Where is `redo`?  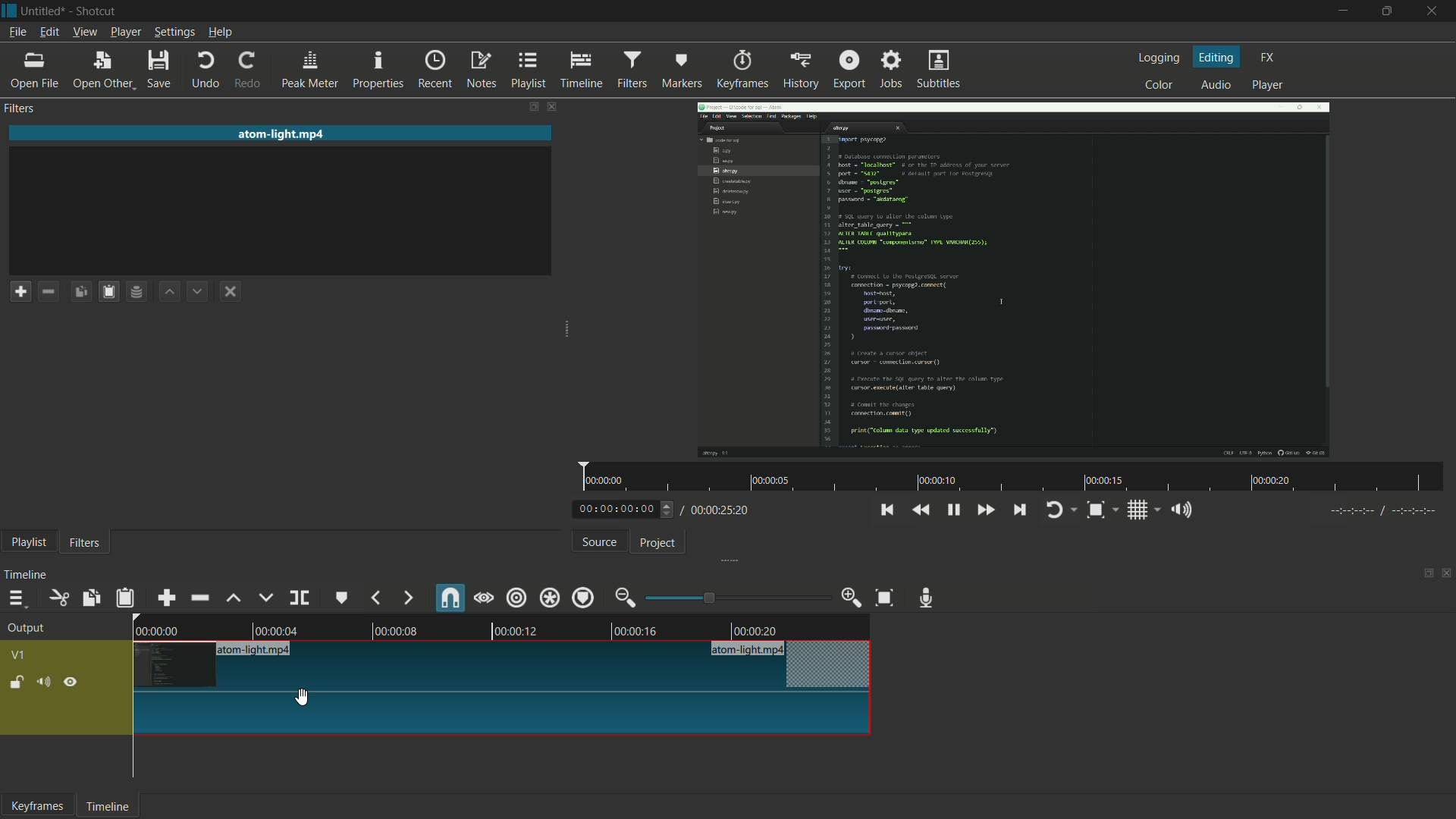
redo is located at coordinates (247, 71).